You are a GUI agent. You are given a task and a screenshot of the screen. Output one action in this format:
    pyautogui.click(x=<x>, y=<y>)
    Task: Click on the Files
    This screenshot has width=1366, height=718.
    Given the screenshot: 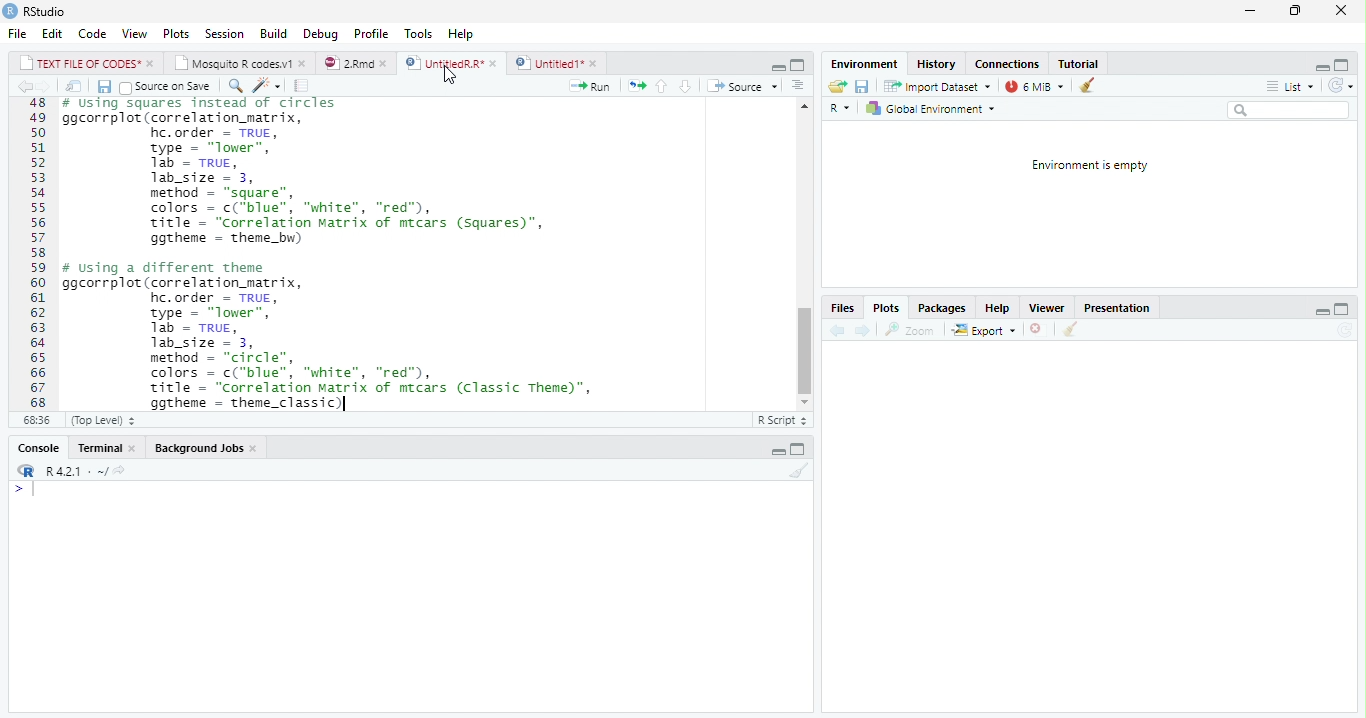 What is the action you would take?
    pyautogui.click(x=842, y=307)
    